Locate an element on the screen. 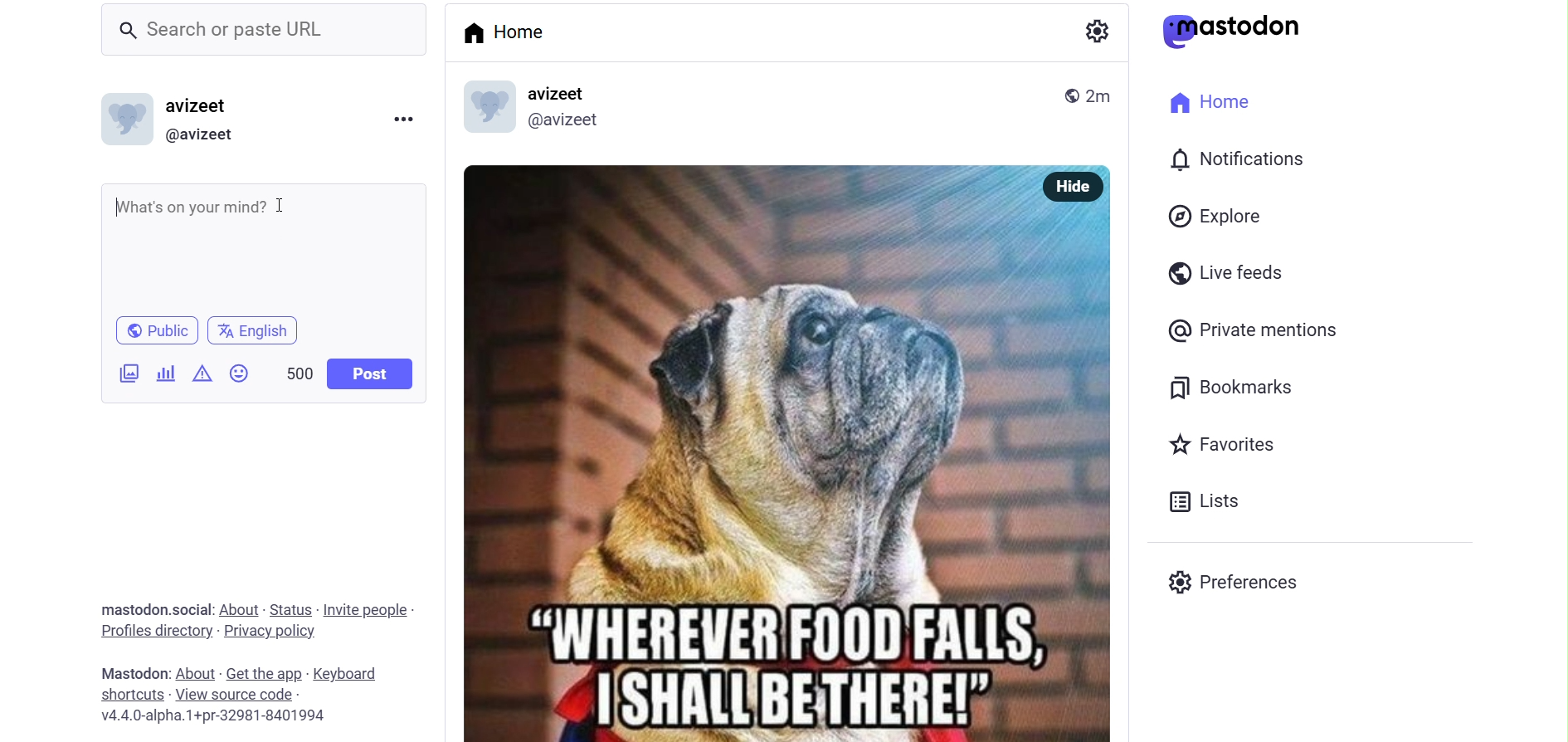  explore is located at coordinates (1215, 216).